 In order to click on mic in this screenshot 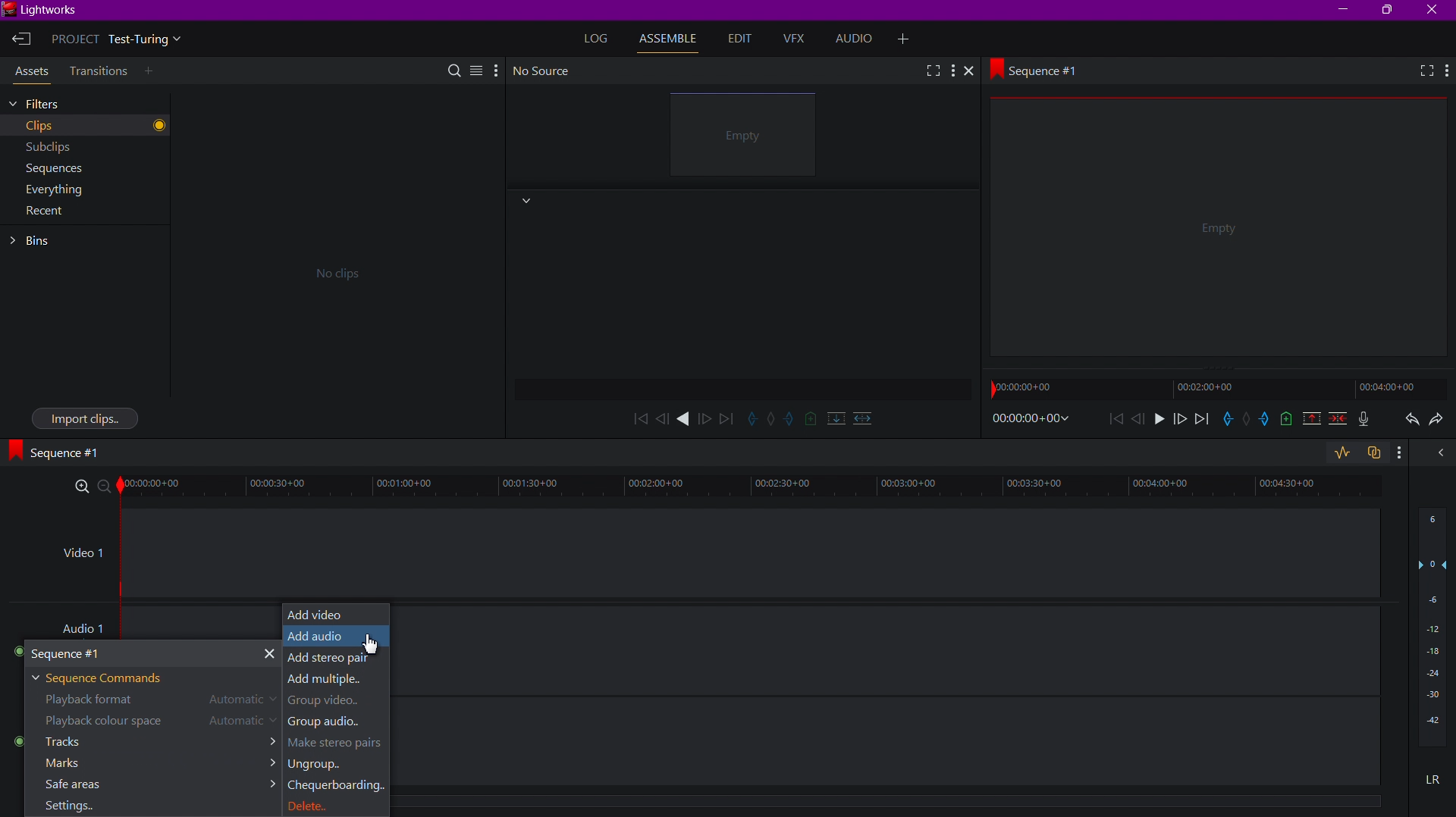, I will do `click(1368, 421)`.